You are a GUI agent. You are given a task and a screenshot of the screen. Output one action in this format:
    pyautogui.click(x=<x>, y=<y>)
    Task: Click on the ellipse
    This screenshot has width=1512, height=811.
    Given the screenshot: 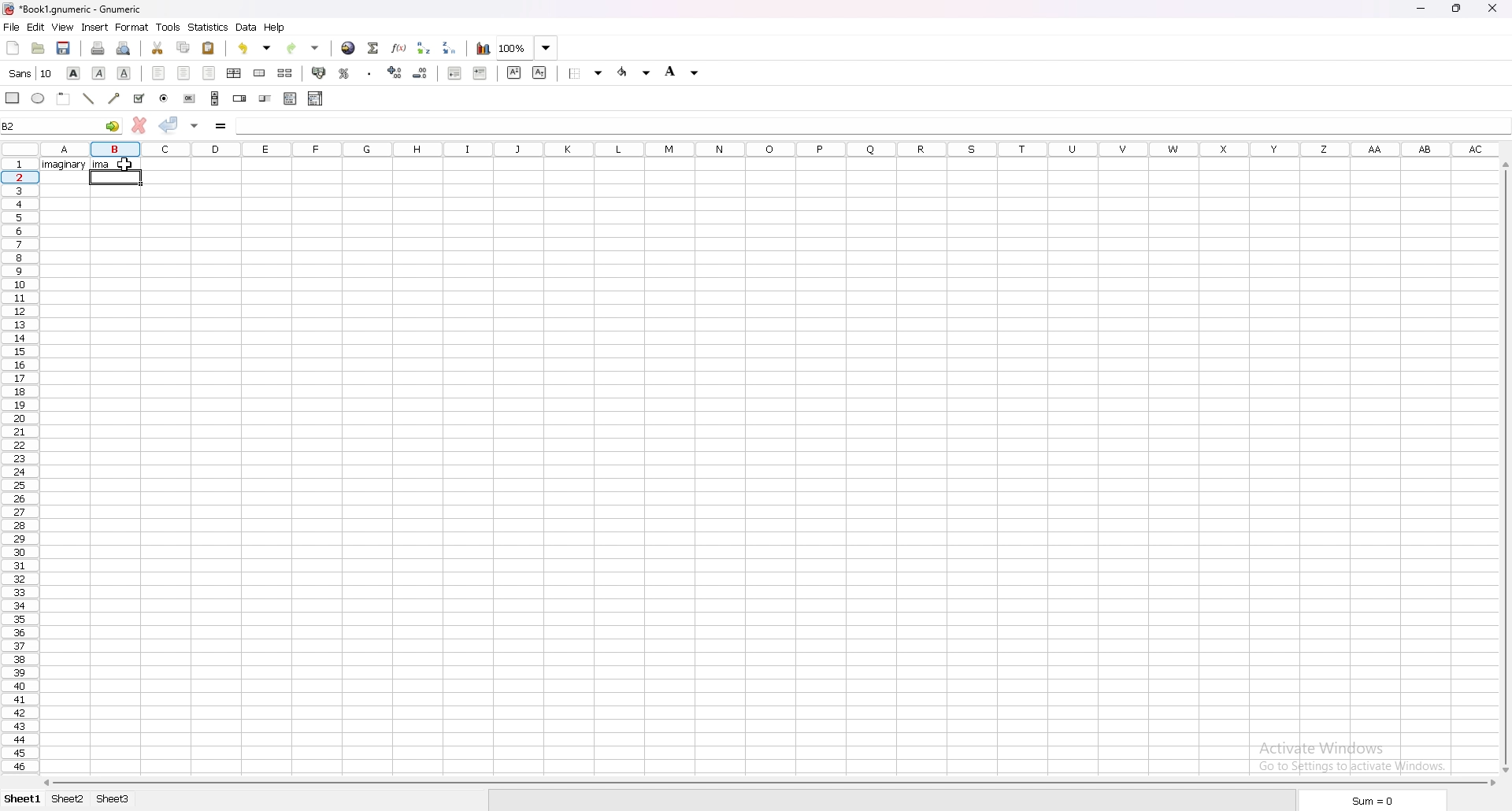 What is the action you would take?
    pyautogui.click(x=38, y=99)
    